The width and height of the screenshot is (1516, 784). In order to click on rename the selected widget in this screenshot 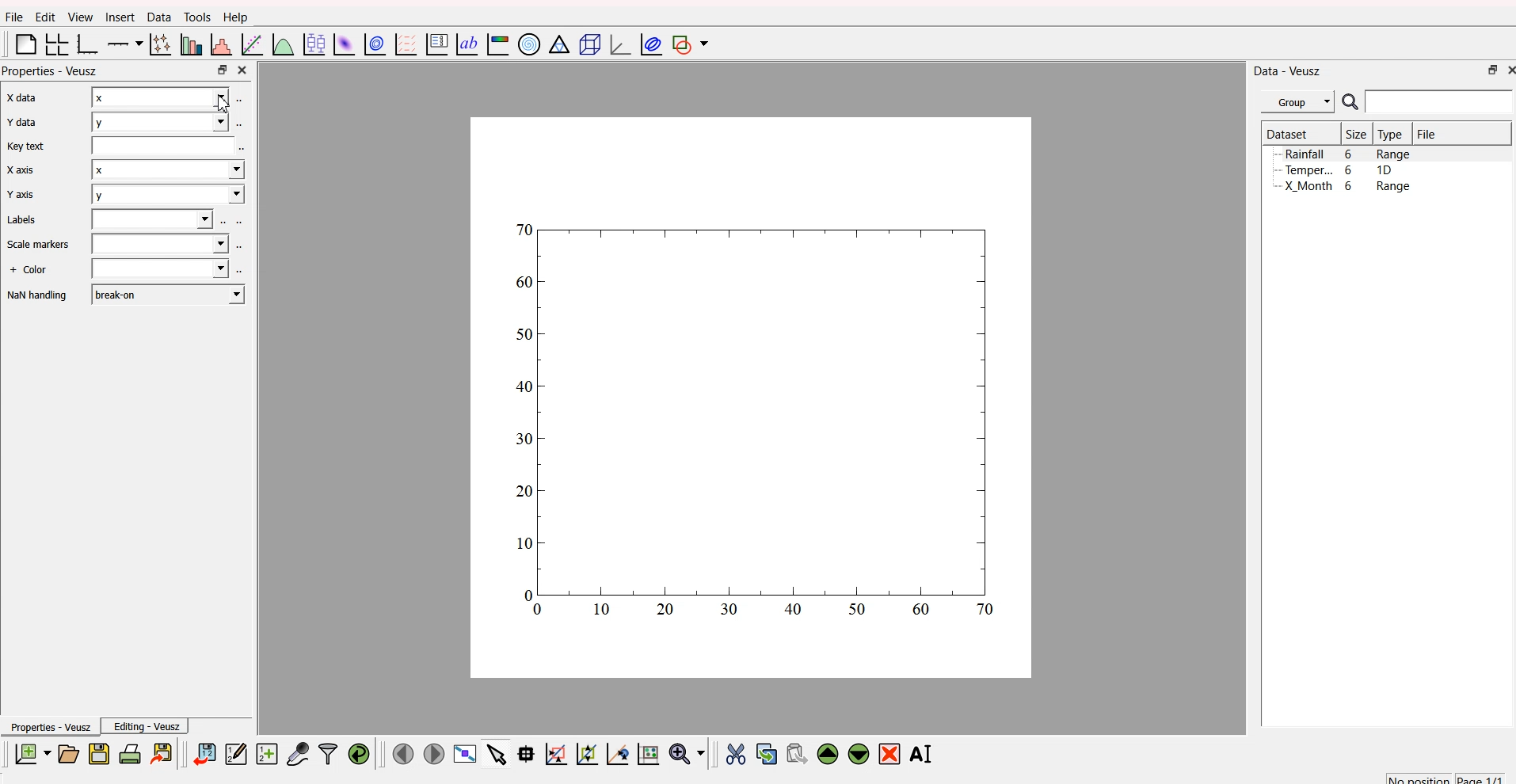, I will do `click(924, 753)`.